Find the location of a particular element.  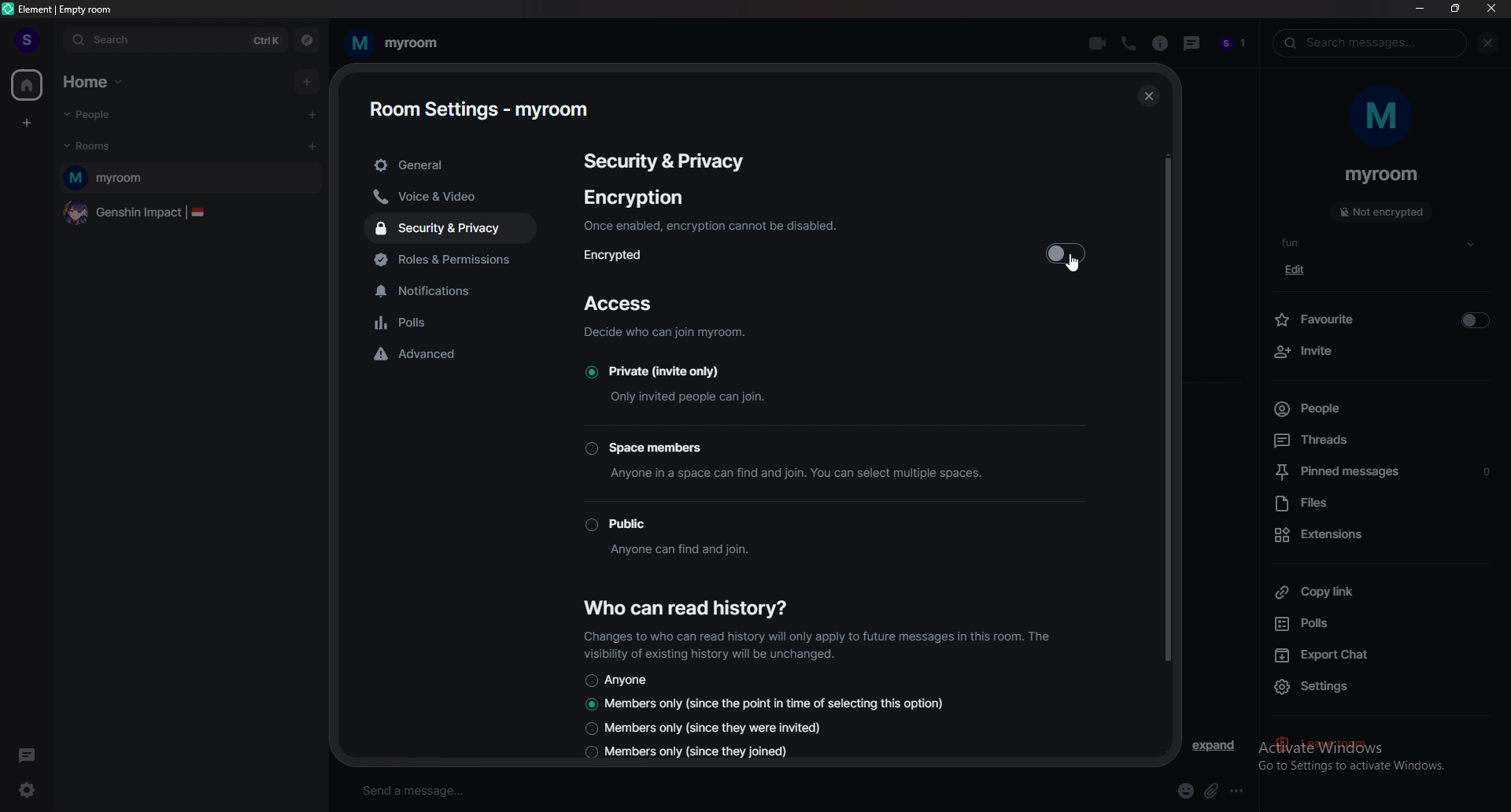

Changes to who can read history will only apply to future messages in this room. The visibility of existing history will be unchanged. is located at coordinates (818, 643).